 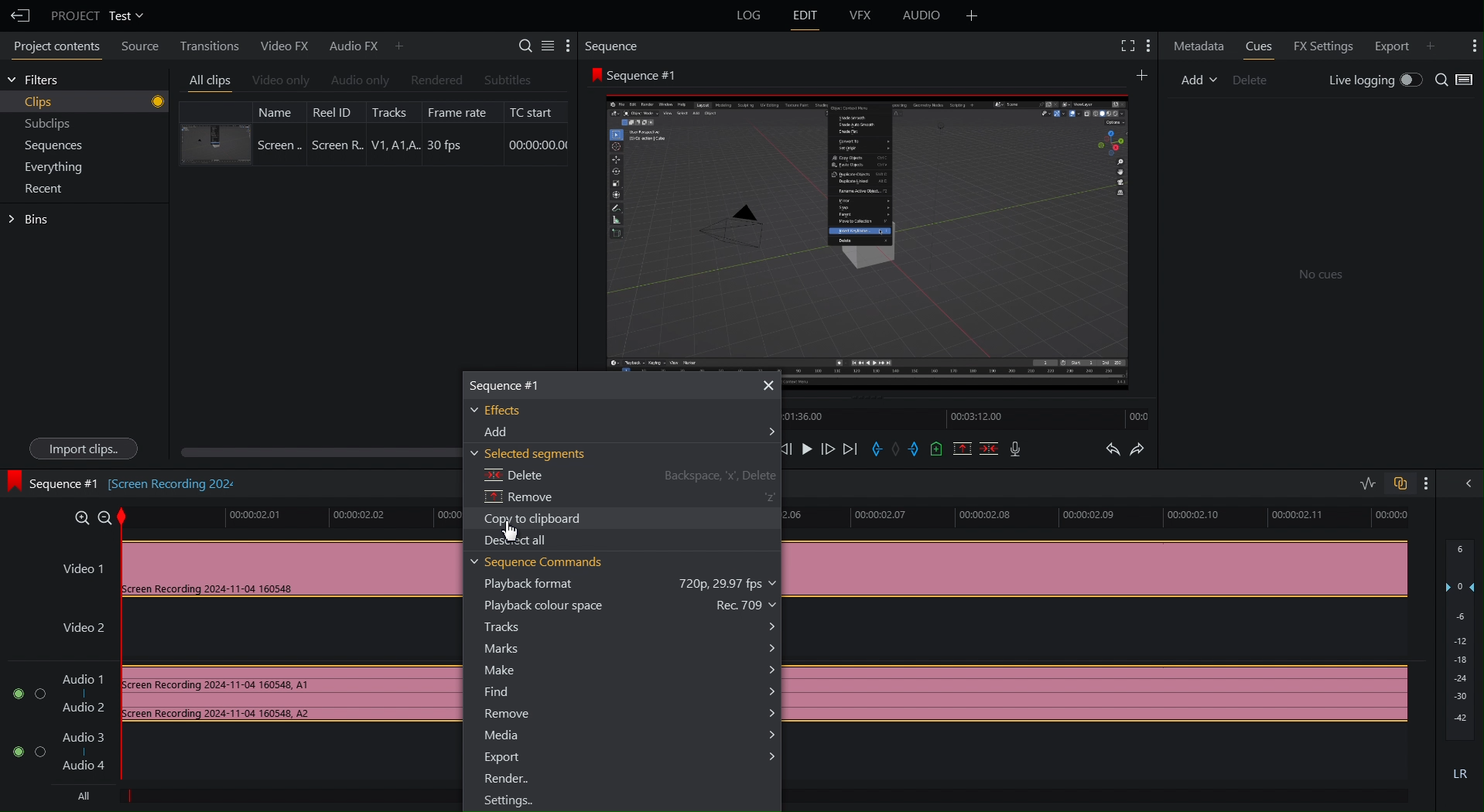 I want to click on Sequence#1 [Screen recording 202, so click(x=128, y=486).